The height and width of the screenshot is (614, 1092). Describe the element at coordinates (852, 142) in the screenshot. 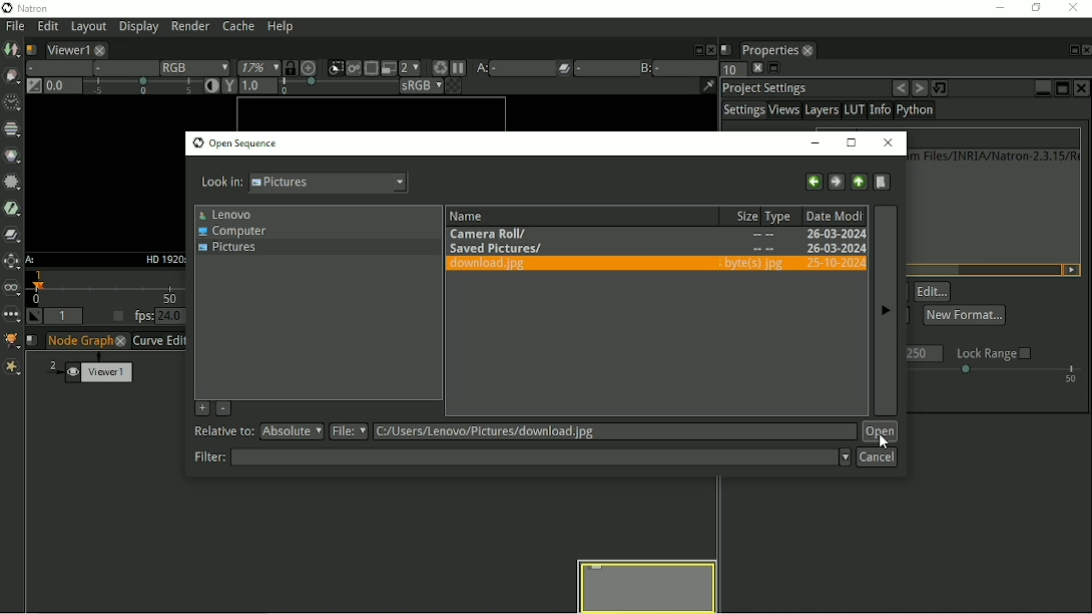

I see `Maximize` at that location.